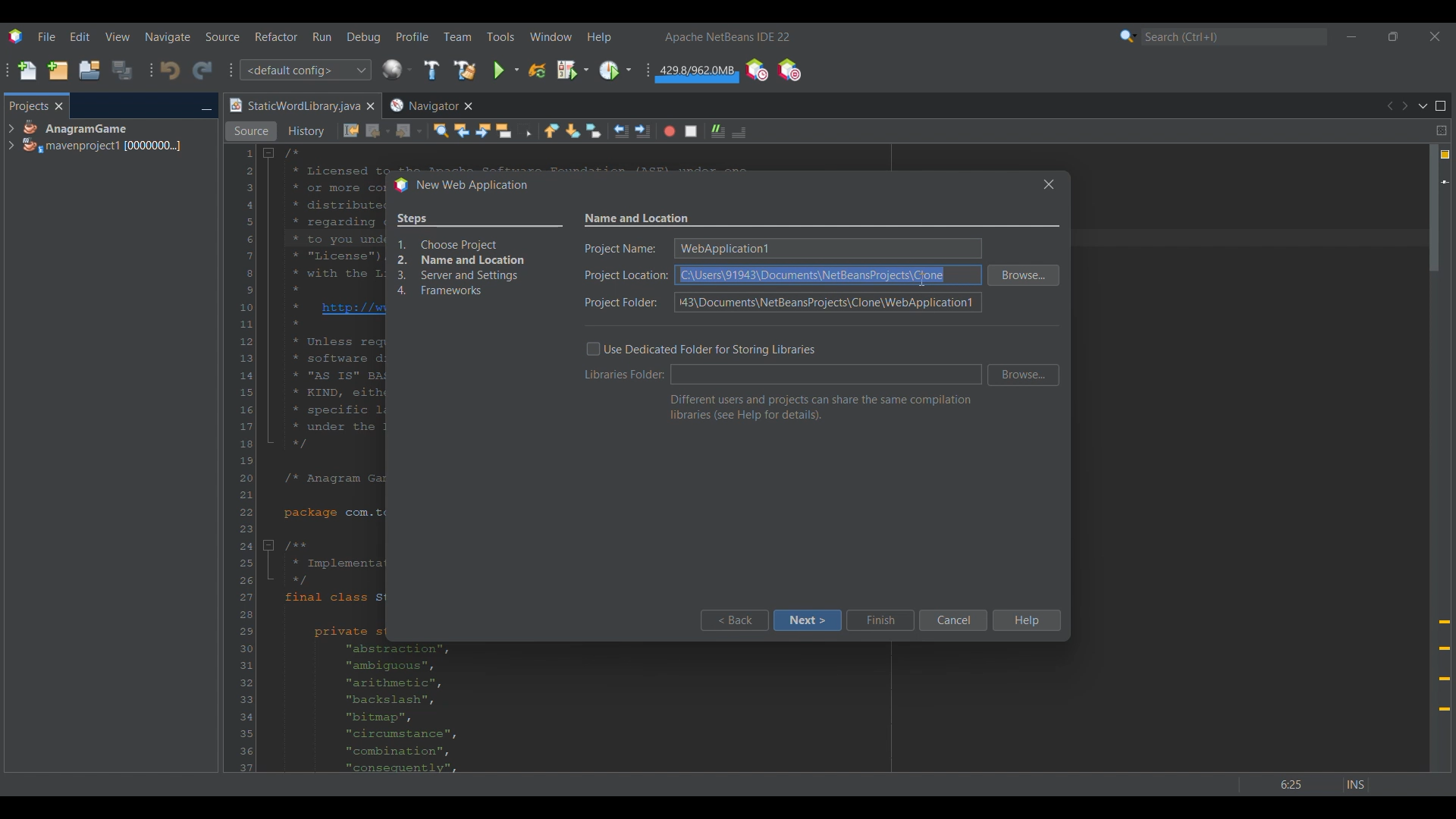 The image size is (1456, 819). I want to click on Pause I/O checks, so click(789, 70).